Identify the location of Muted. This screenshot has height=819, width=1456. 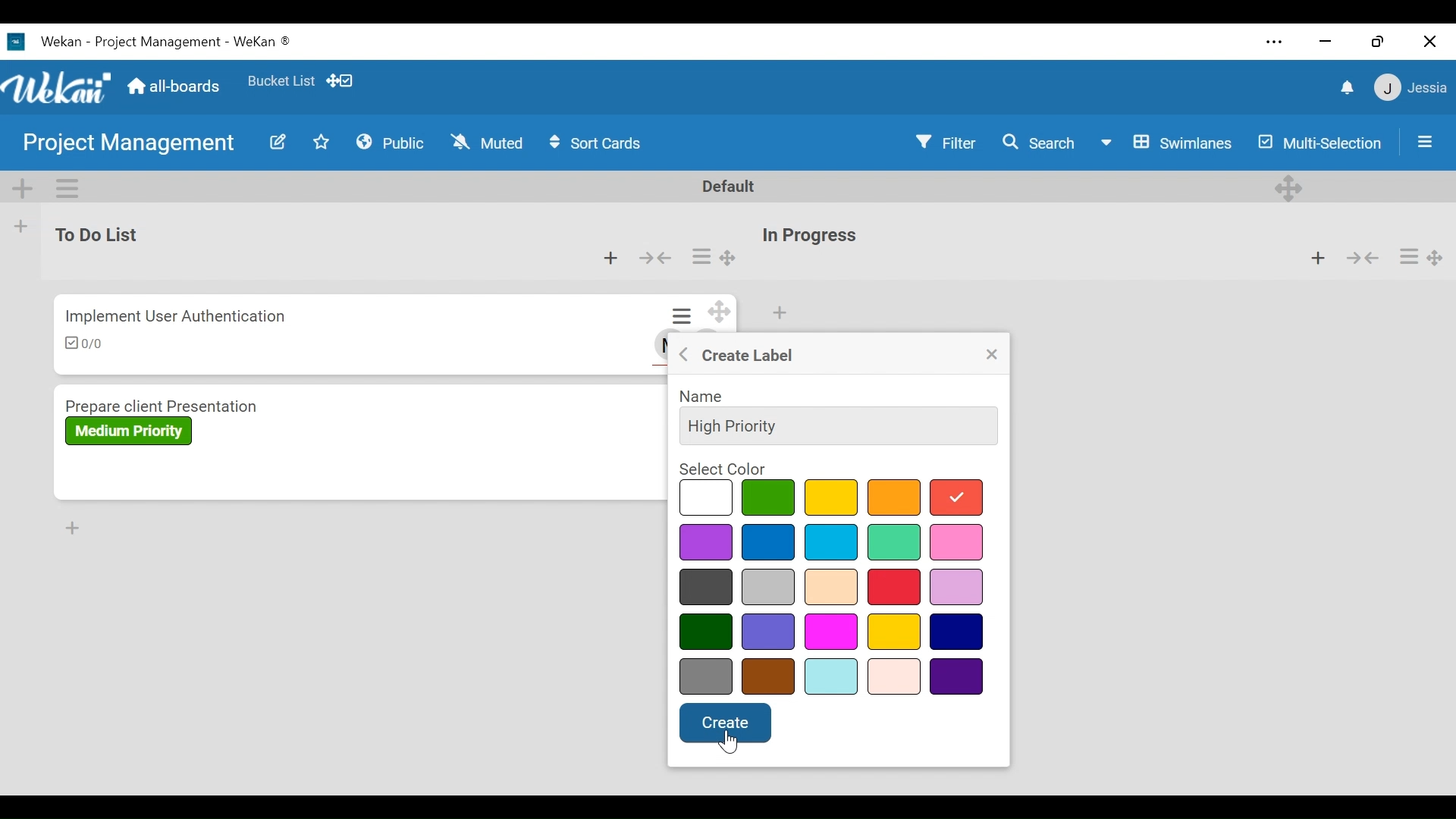
(486, 142).